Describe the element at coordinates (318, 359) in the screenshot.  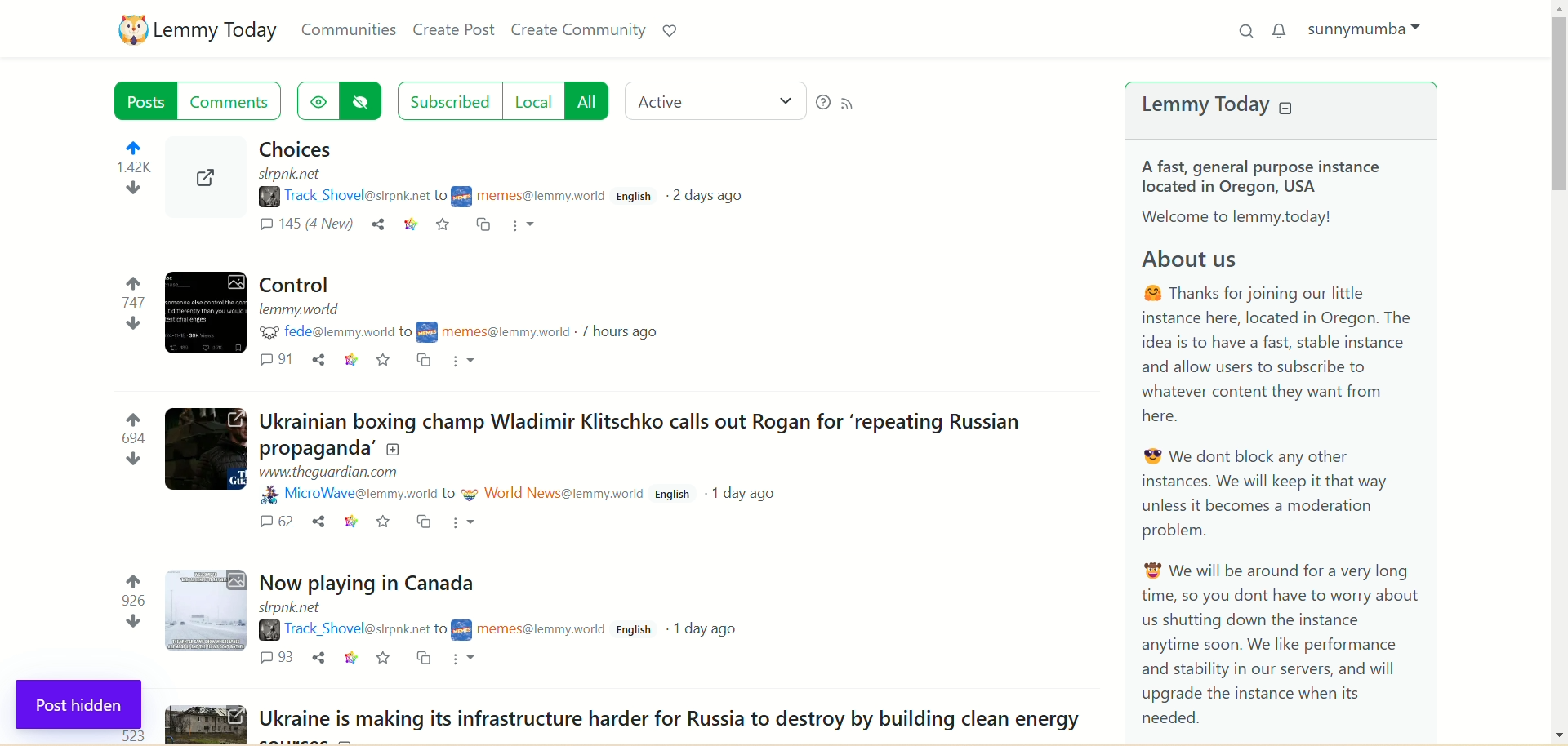
I see `share` at that location.